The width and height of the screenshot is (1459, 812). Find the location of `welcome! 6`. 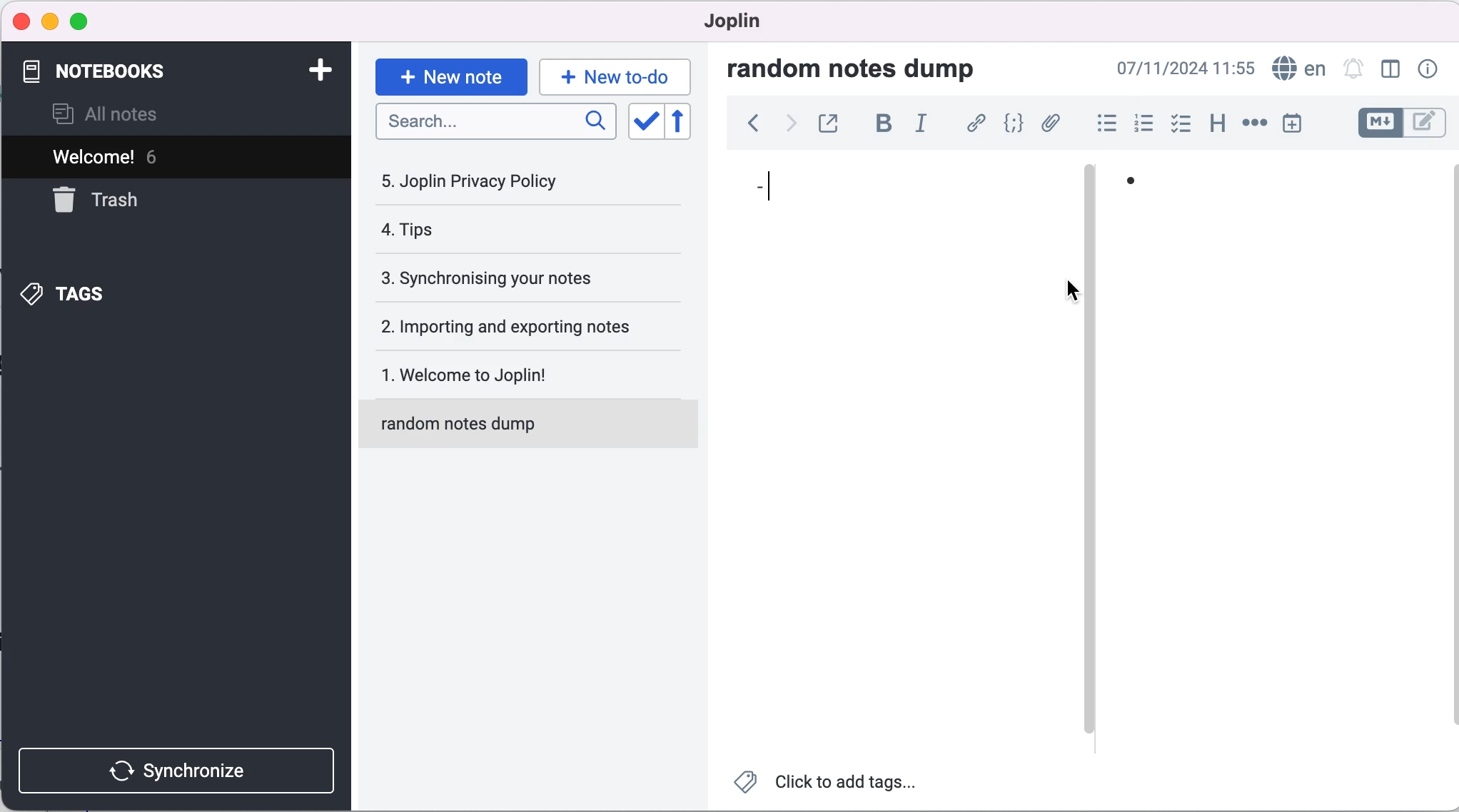

welcome! 6 is located at coordinates (138, 156).